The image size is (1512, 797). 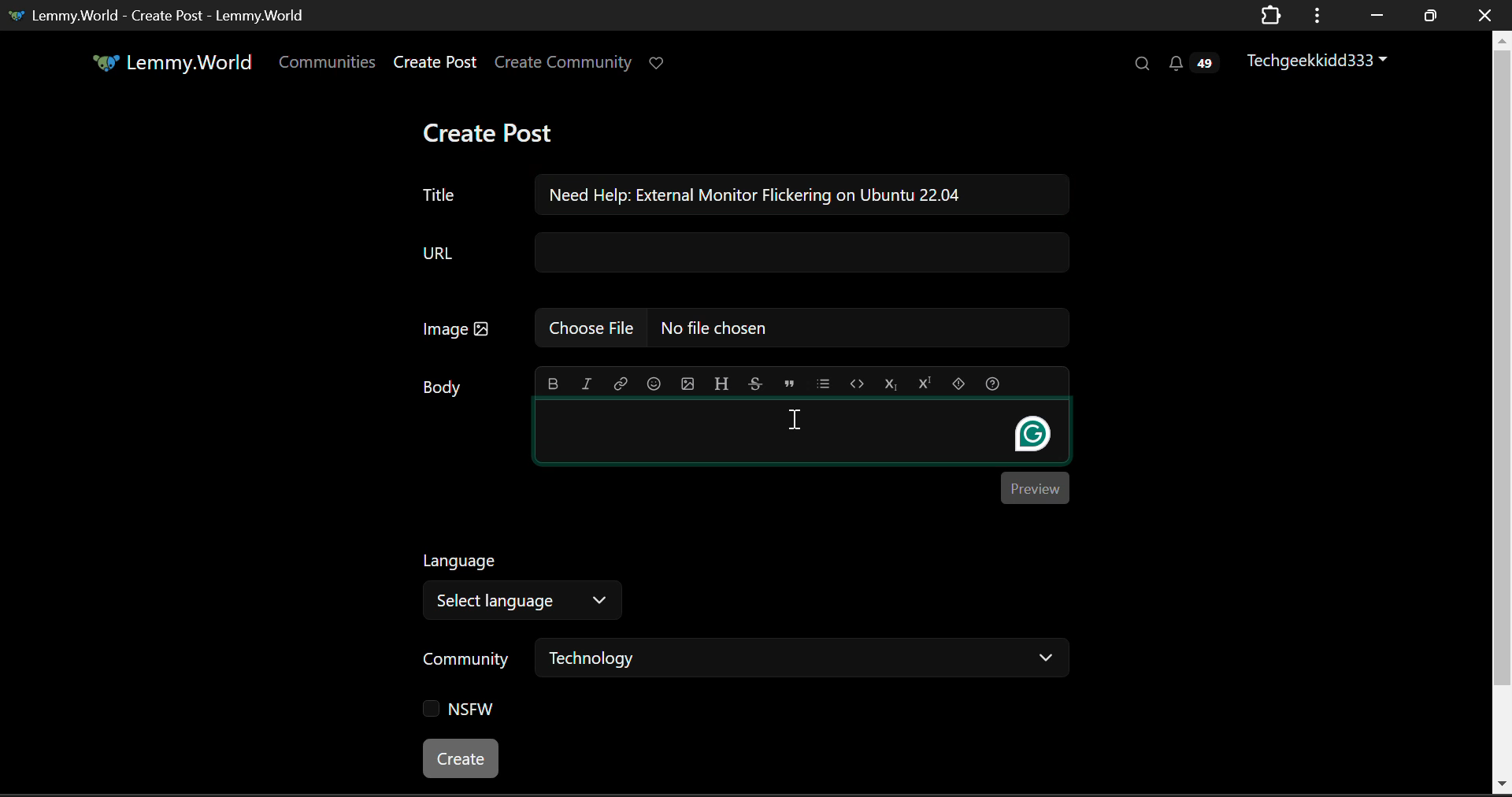 I want to click on Insert Picture, so click(x=688, y=385).